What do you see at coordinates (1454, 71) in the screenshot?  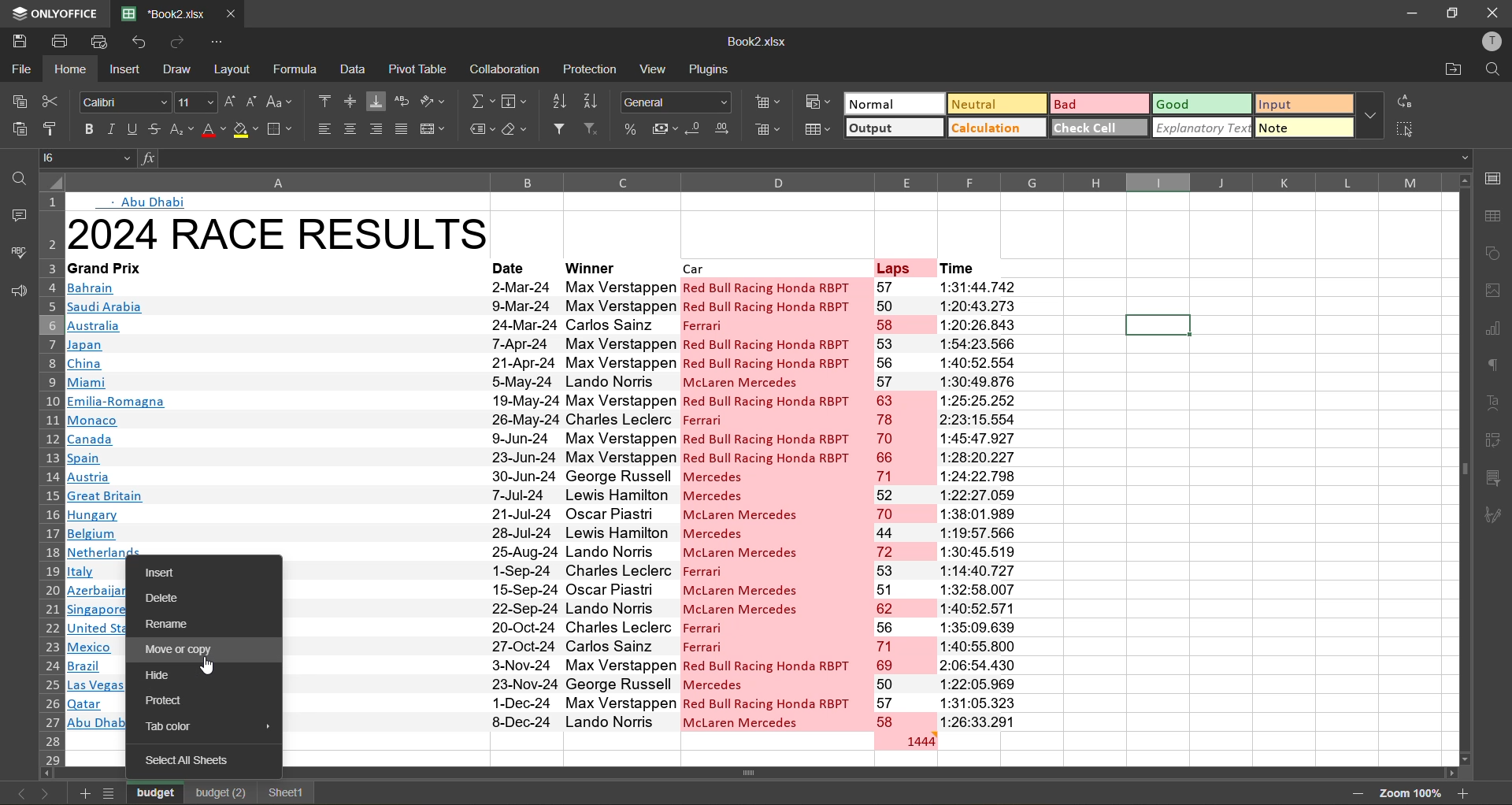 I see `open location` at bounding box center [1454, 71].